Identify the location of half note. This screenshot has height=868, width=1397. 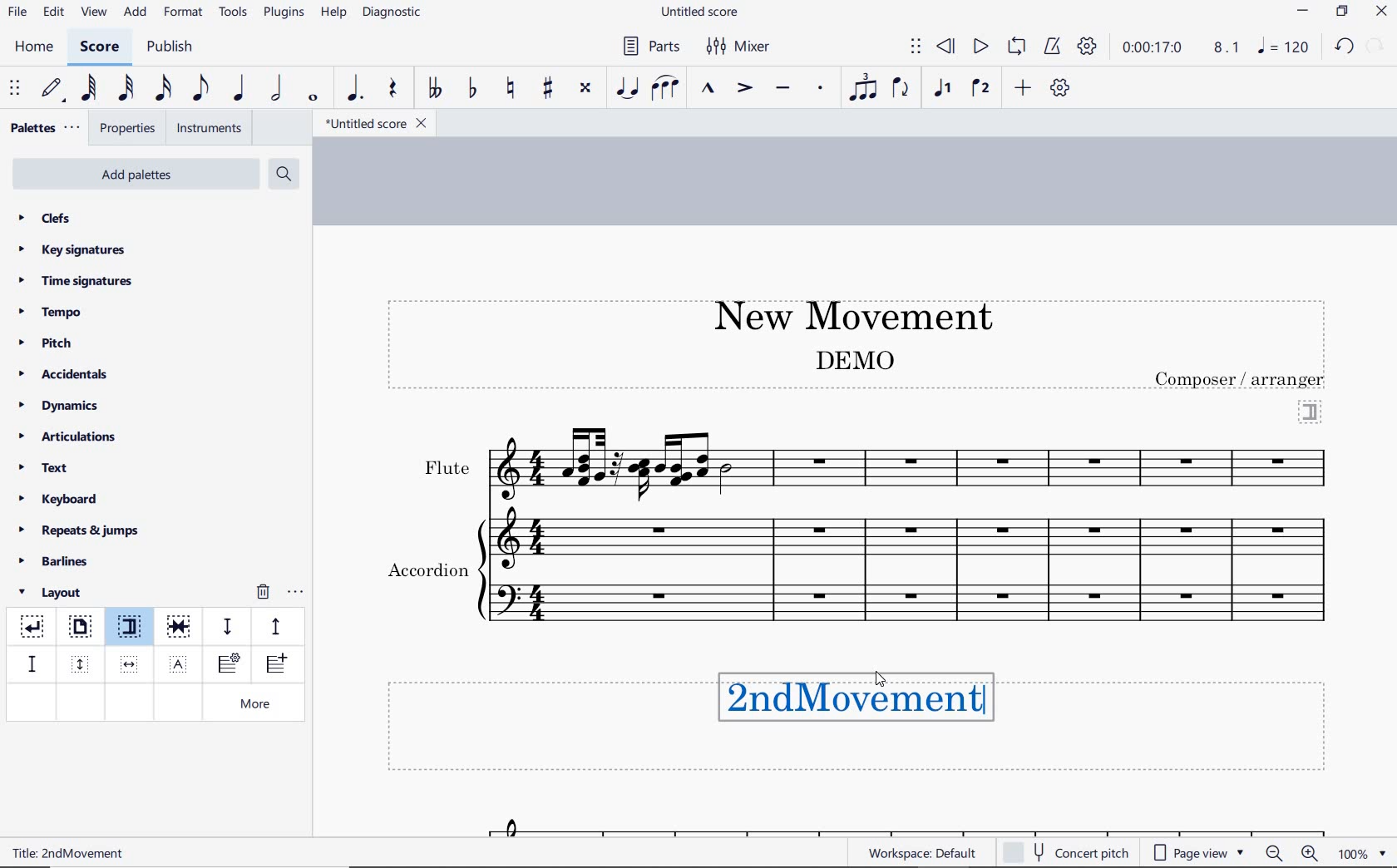
(276, 89).